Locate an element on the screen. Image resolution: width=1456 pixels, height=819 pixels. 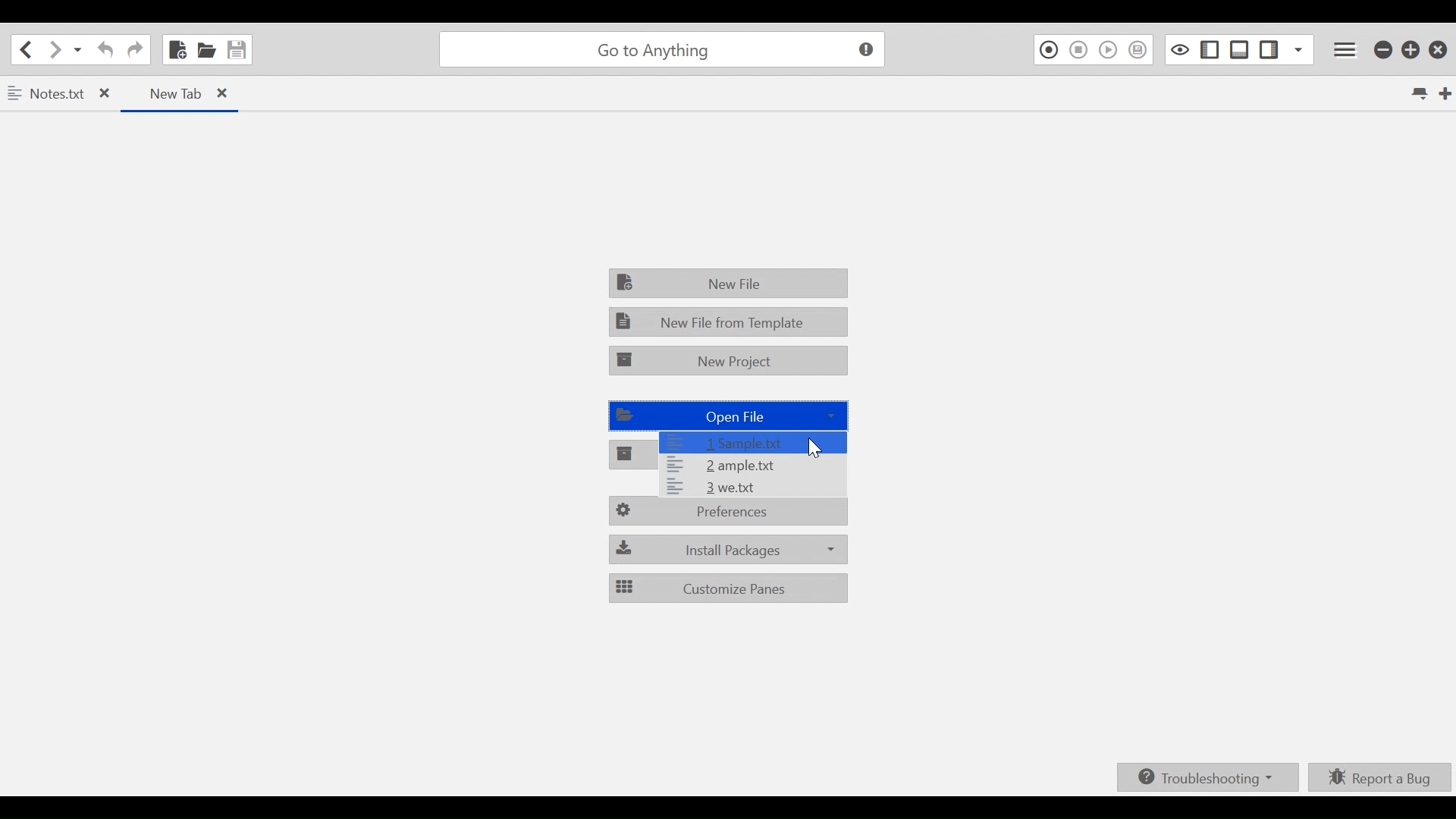
Install packages is located at coordinates (726, 548).